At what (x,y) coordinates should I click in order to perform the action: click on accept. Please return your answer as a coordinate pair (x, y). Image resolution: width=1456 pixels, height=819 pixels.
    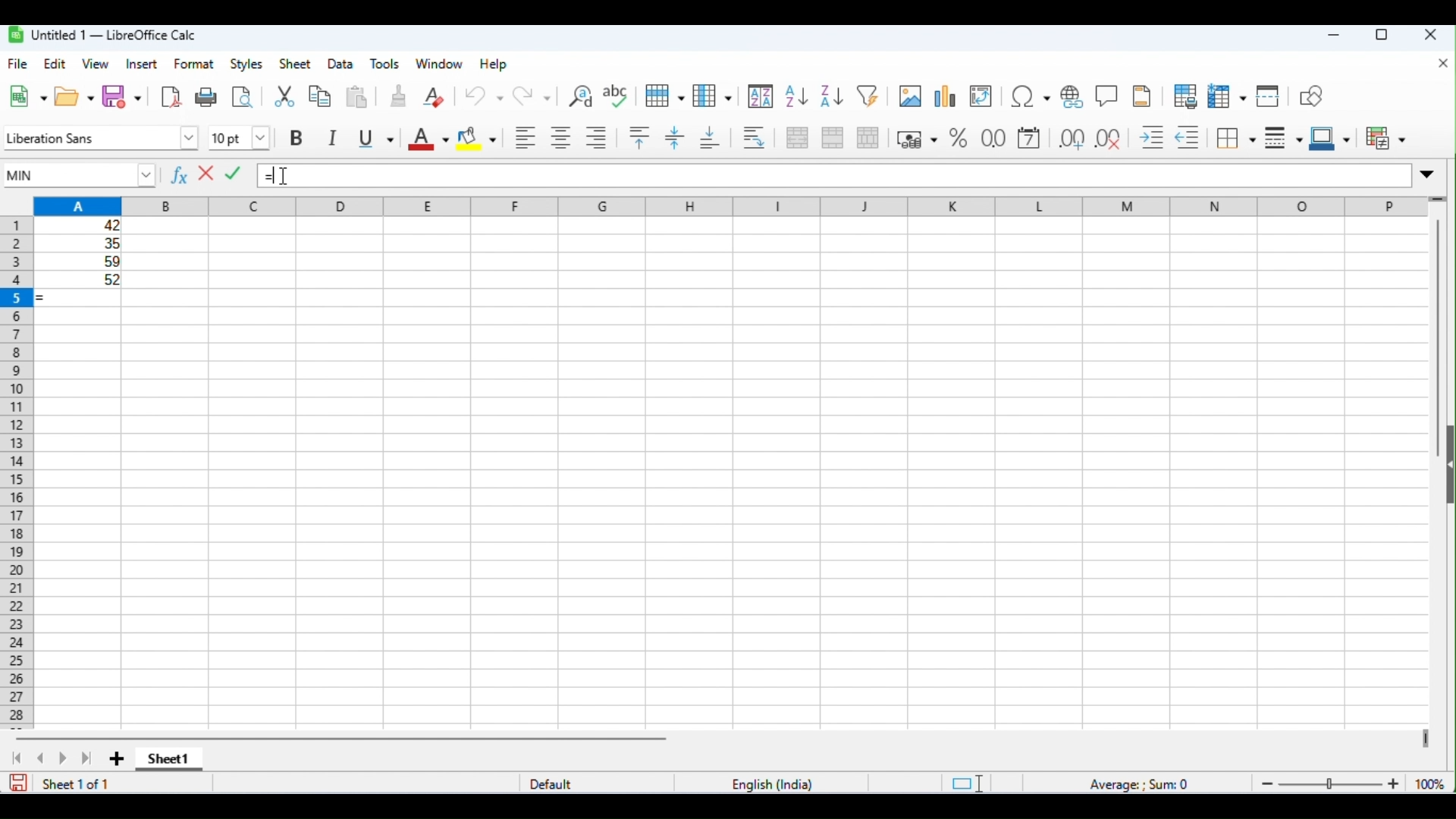
    Looking at the image, I should click on (235, 174).